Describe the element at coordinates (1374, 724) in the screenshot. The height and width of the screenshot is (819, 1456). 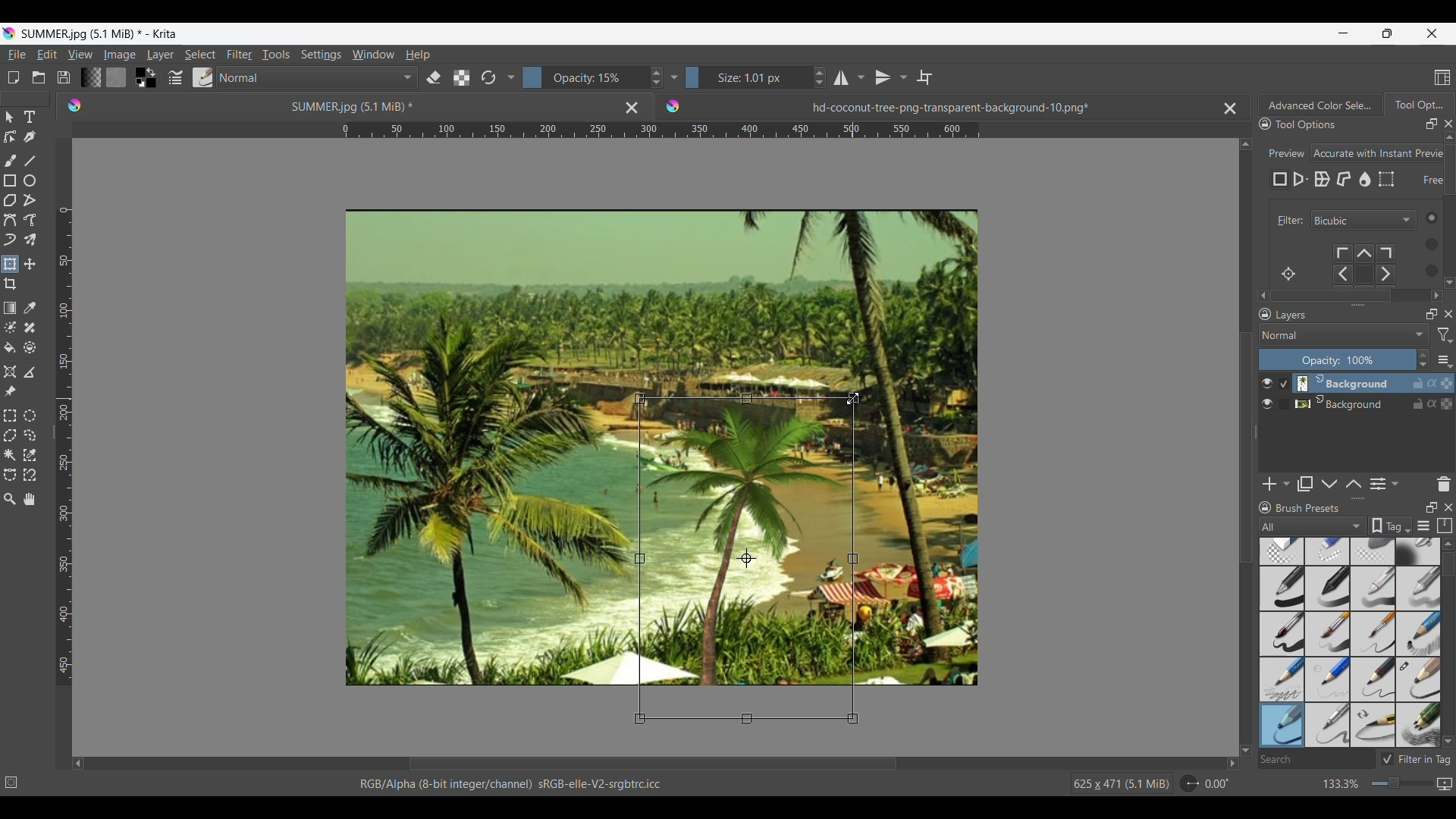
I see `pencil 6 - quick shade` at that location.